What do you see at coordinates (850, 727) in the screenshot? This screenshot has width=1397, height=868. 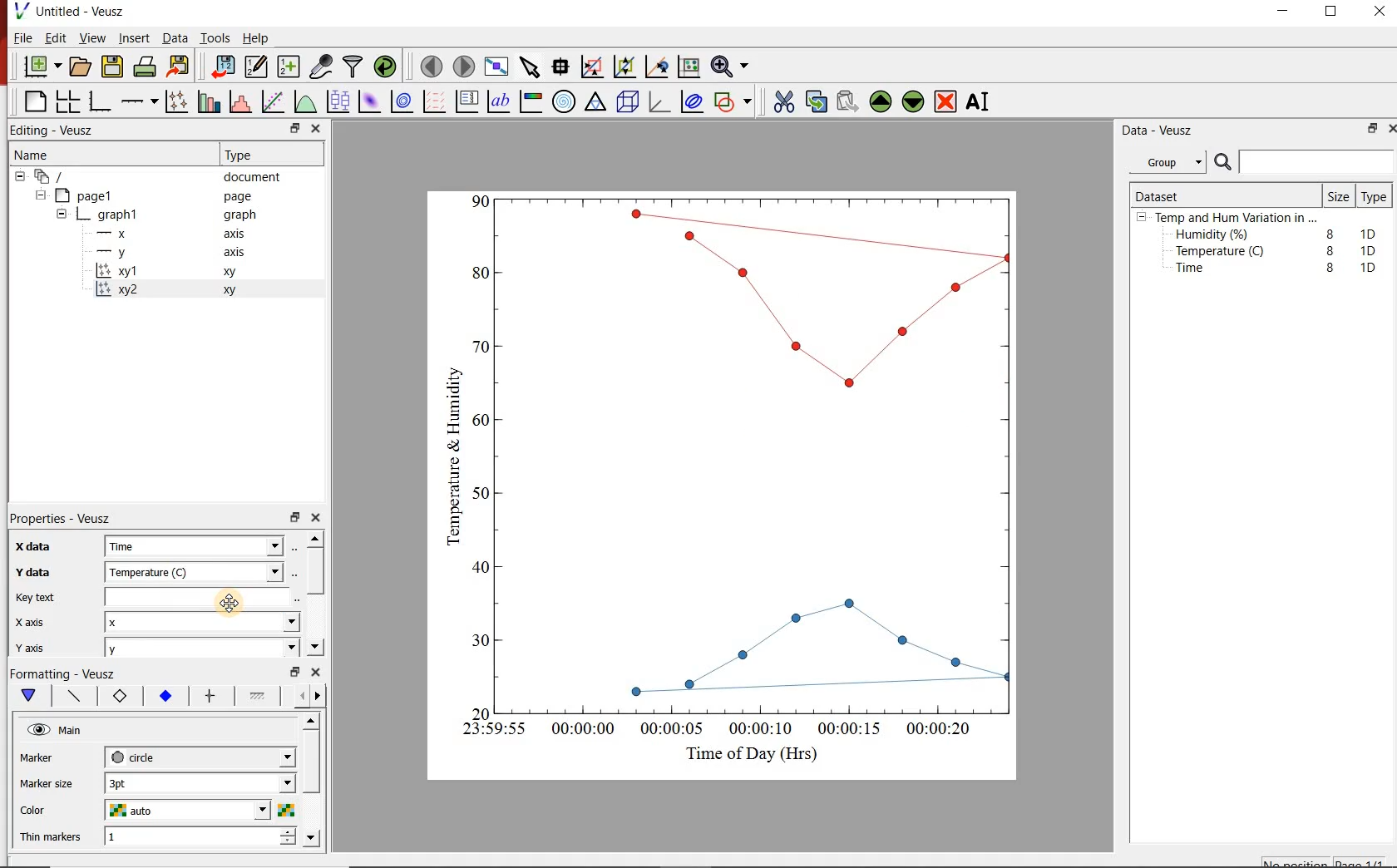 I see `00:00:15` at bounding box center [850, 727].